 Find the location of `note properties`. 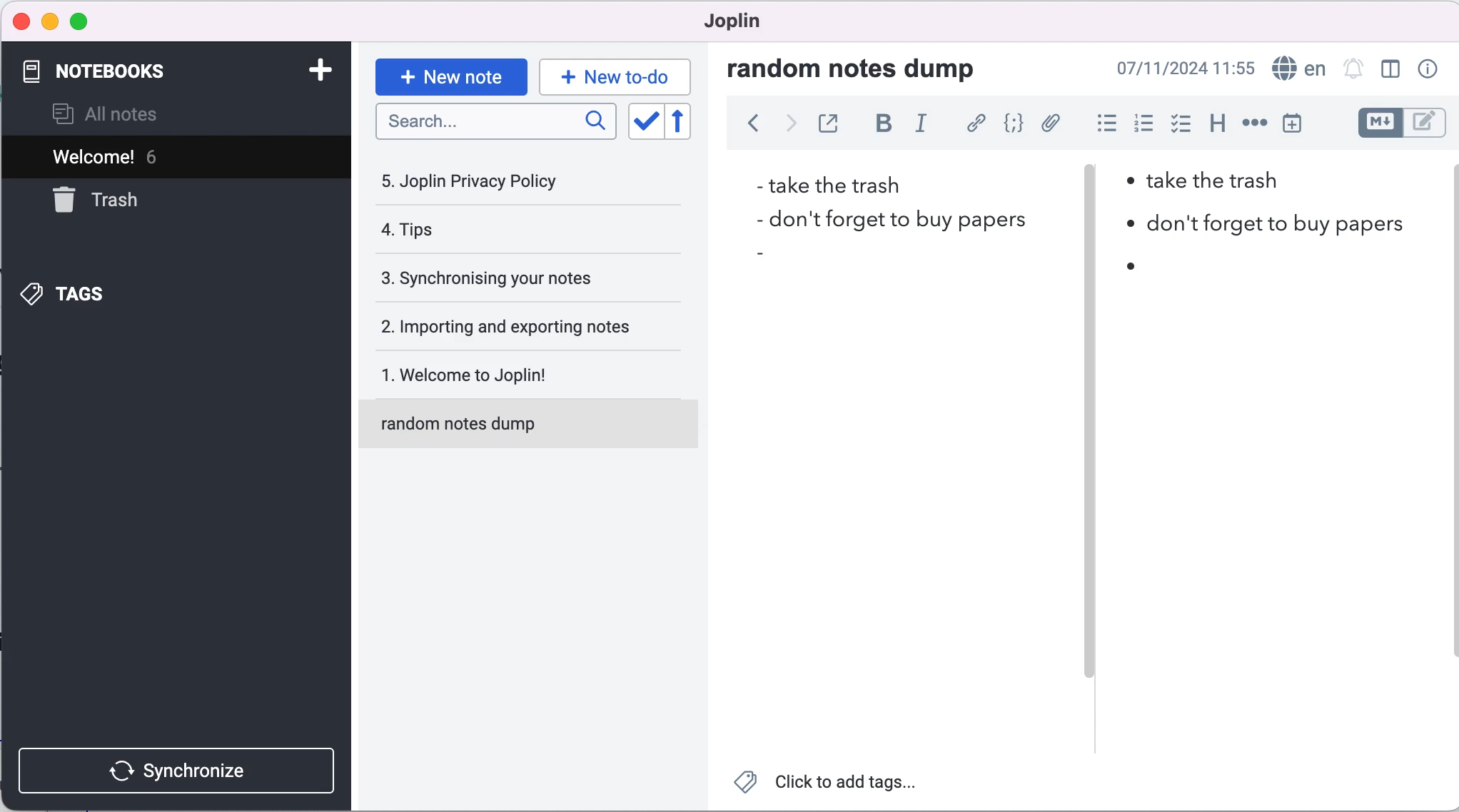

note properties is located at coordinates (1426, 70).